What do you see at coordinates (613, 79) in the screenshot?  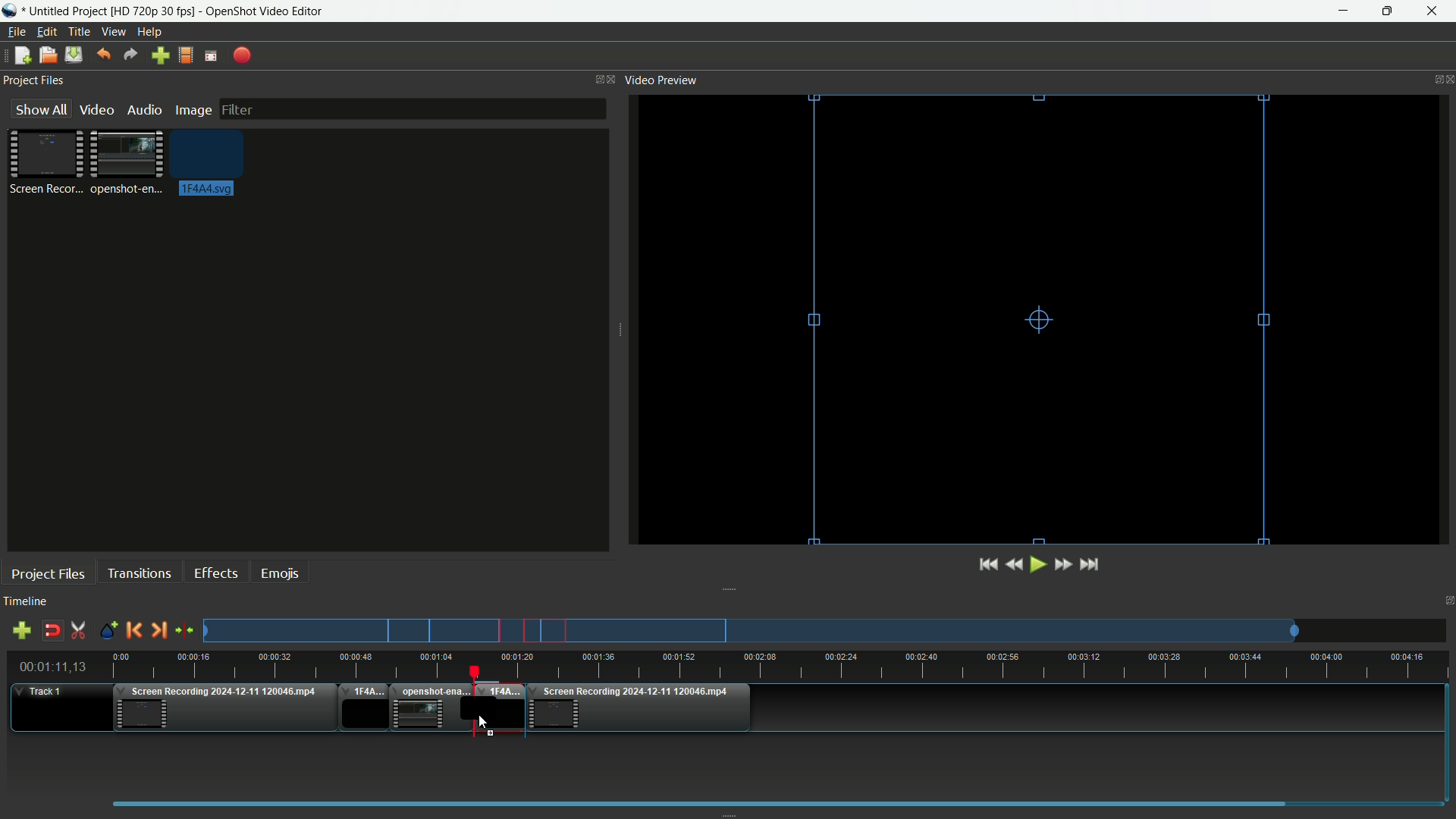 I see `Close project files` at bounding box center [613, 79].